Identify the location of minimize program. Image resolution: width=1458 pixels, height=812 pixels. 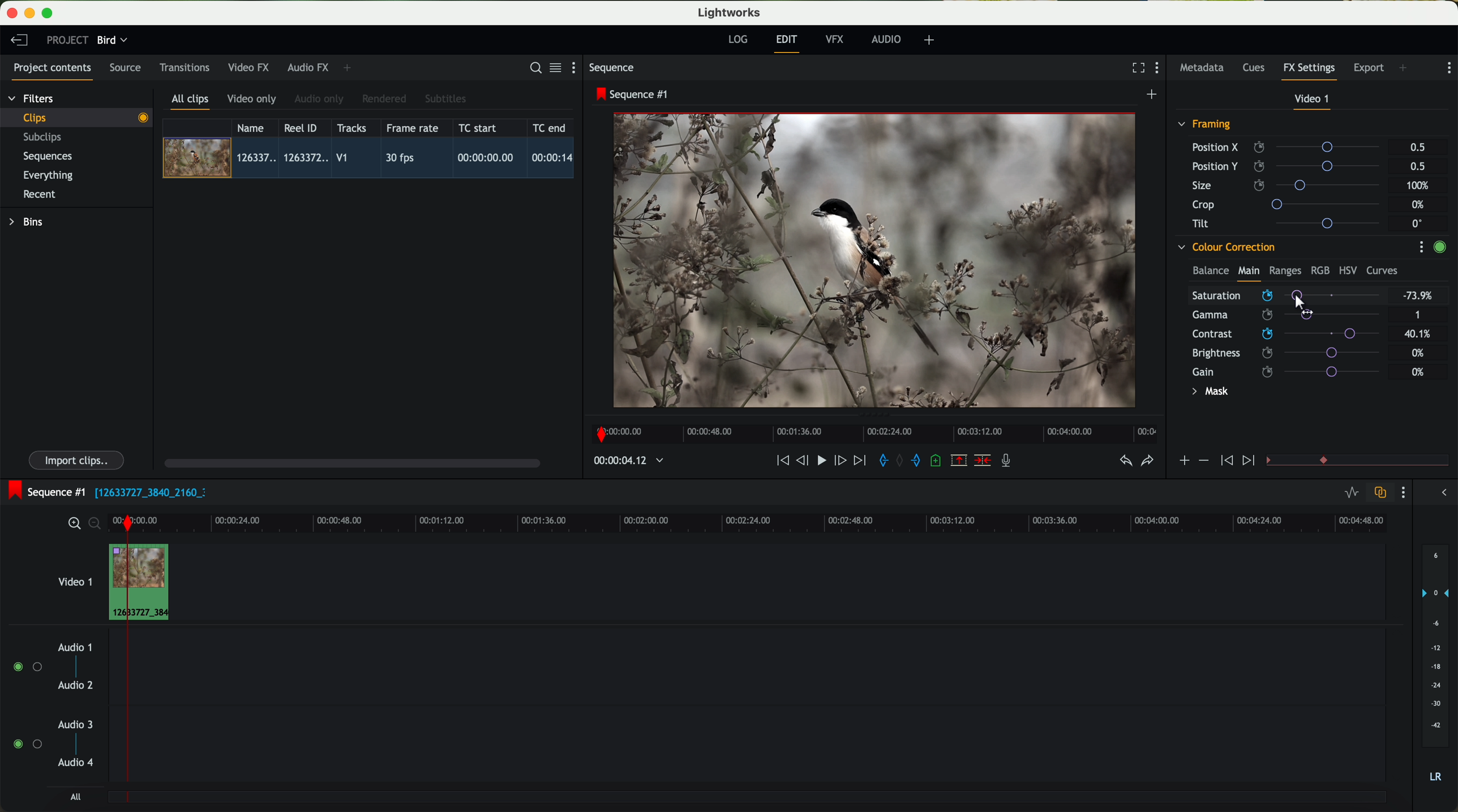
(32, 14).